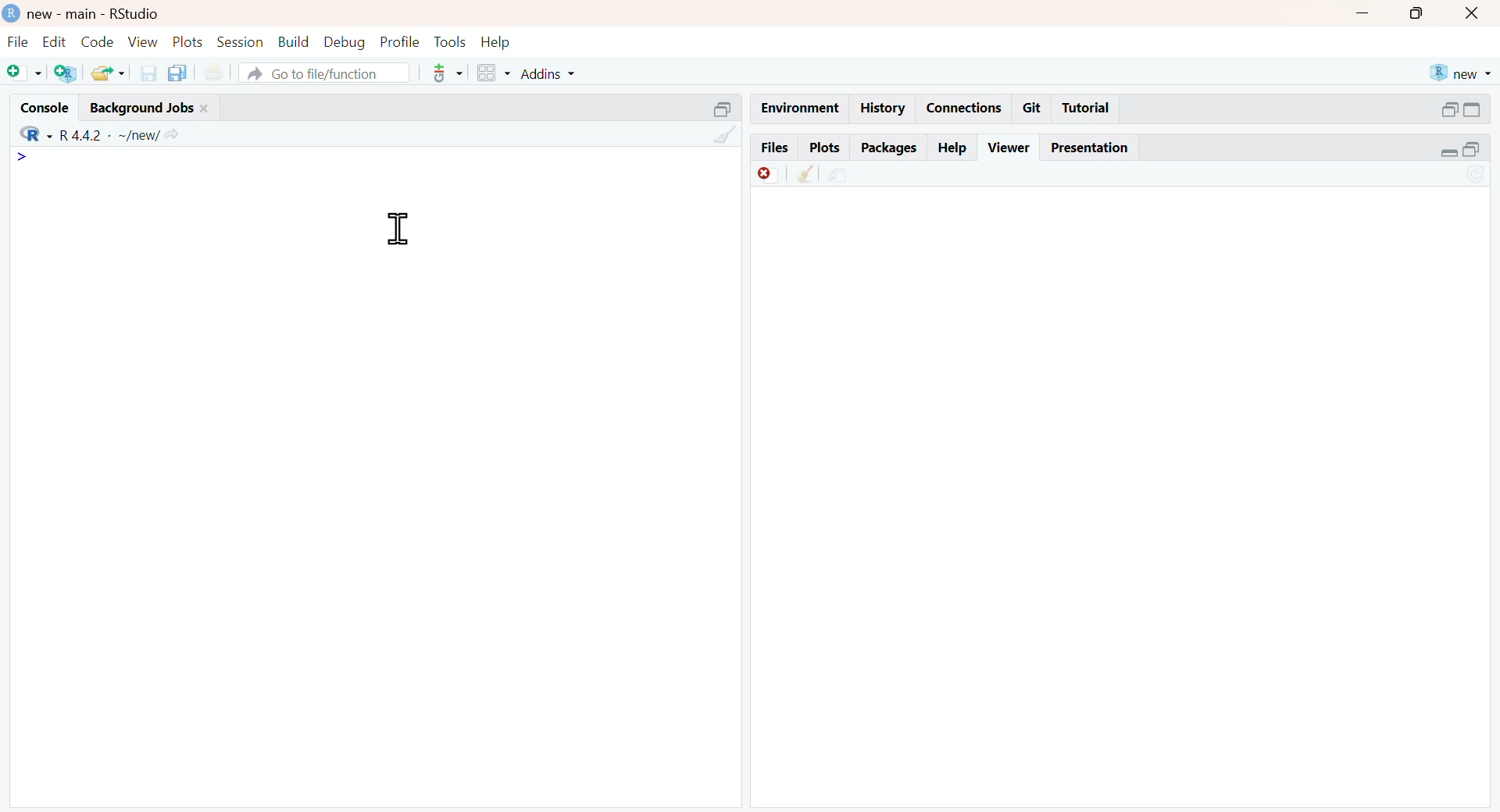 This screenshot has width=1500, height=812. Describe the element at coordinates (444, 73) in the screenshot. I see `version control` at that location.